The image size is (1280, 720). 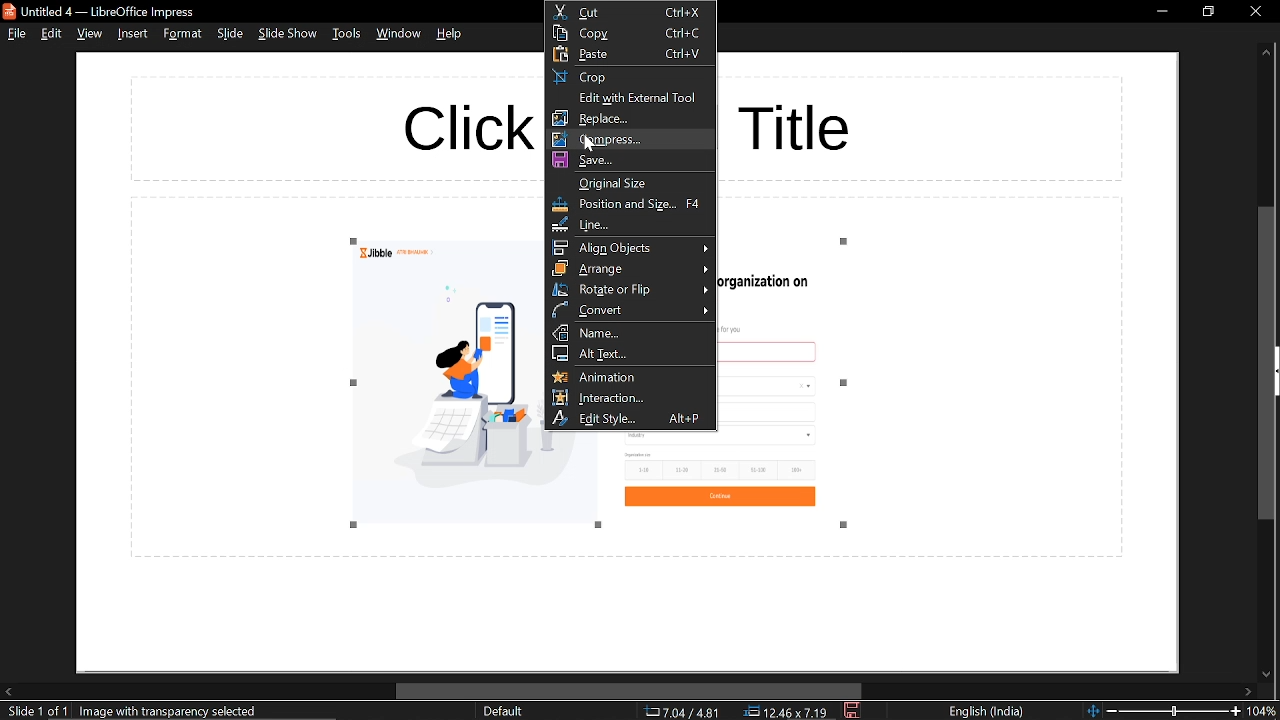 What do you see at coordinates (631, 333) in the screenshot?
I see `name` at bounding box center [631, 333].